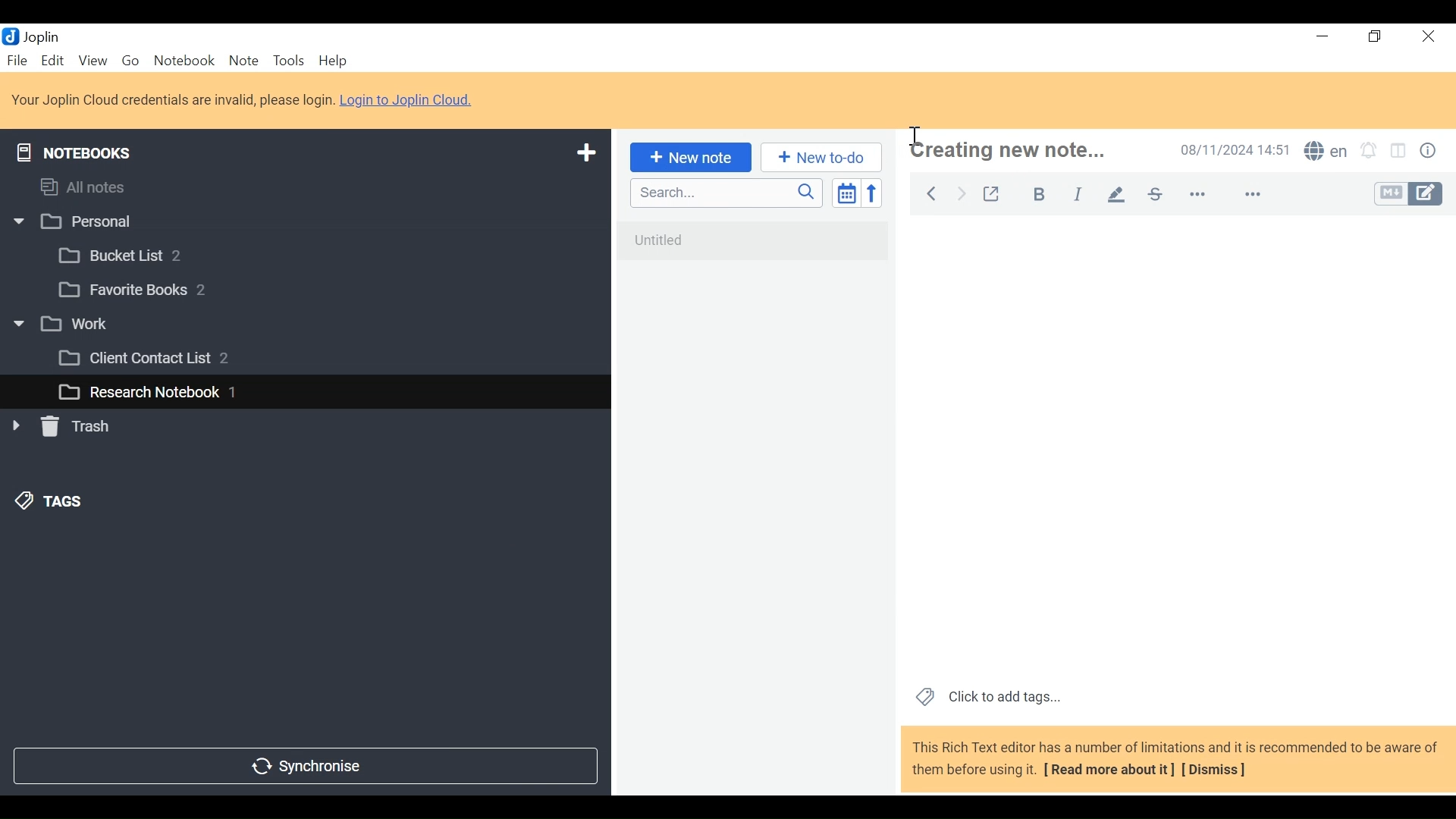  Describe the element at coordinates (724, 193) in the screenshot. I see `Search` at that location.